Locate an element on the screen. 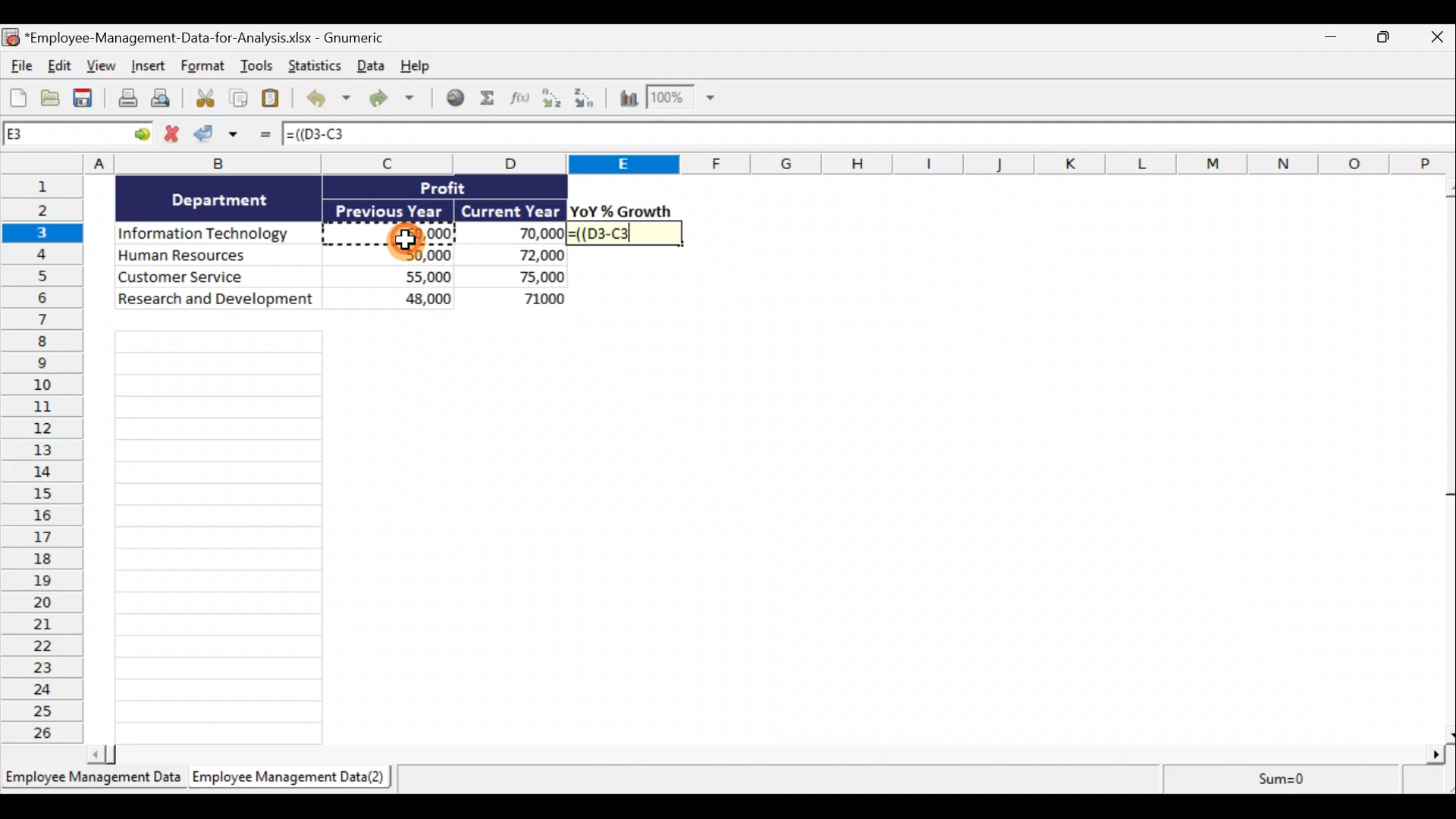 Image resolution: width=1456 pixels, height=819 pixels. Insert a chart is located at coordinates (627, 101).